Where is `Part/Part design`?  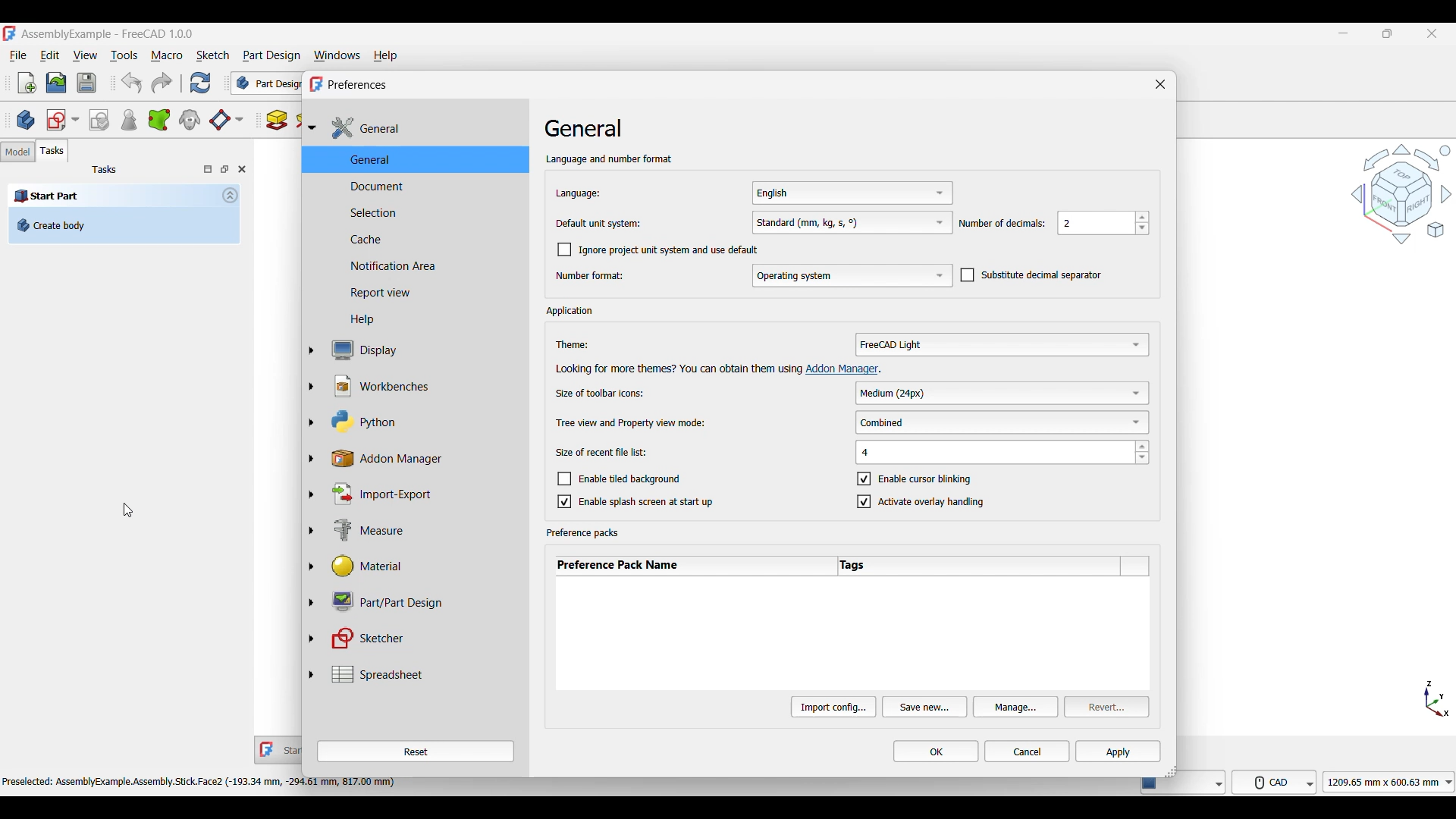
Part/Part design is located at coordinates (422, 601).